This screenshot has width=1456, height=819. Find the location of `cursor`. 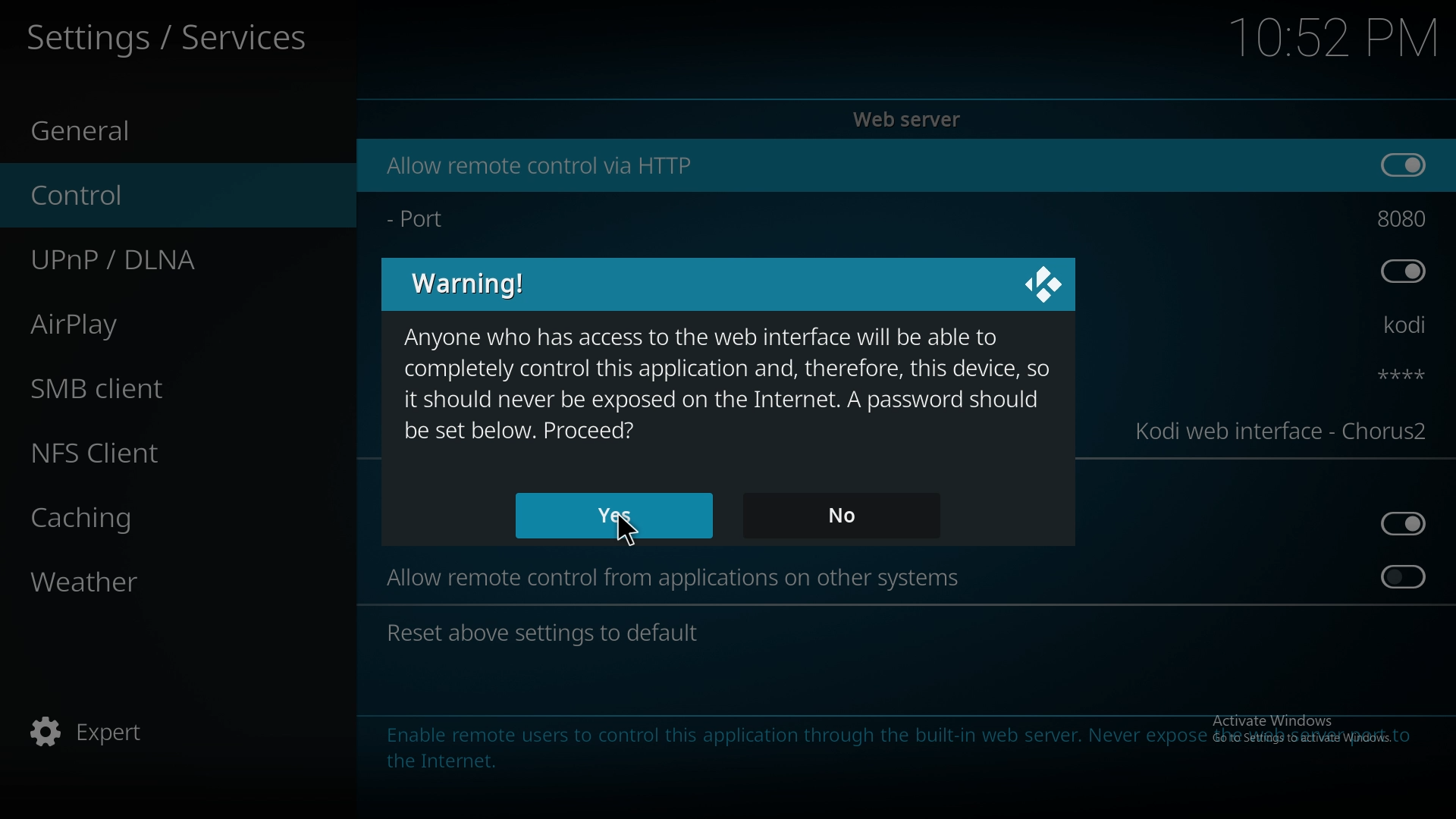

cursor is located at coordinates (630, 529).